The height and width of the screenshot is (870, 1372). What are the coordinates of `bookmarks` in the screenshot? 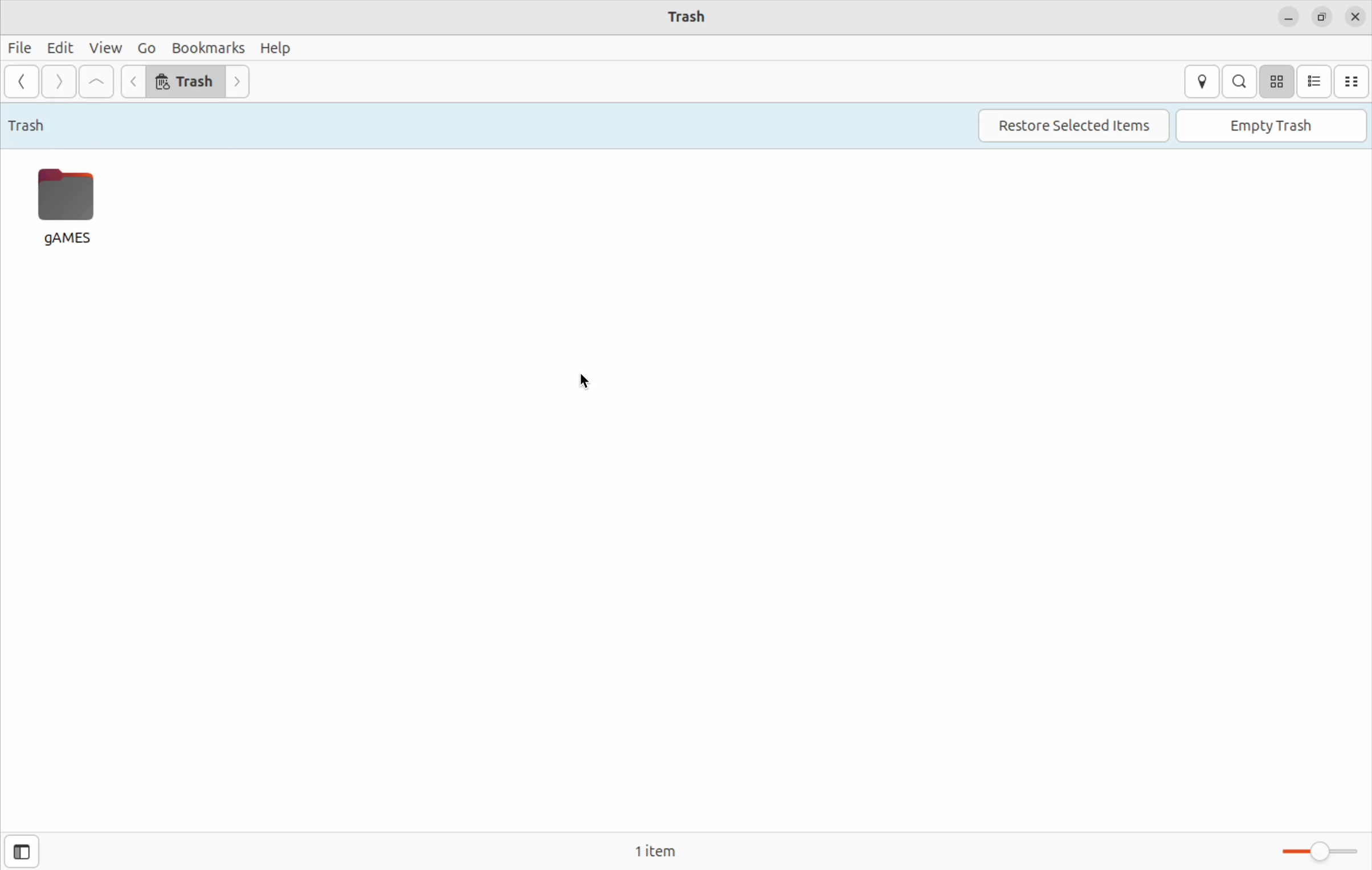 It's located at (209, 46).